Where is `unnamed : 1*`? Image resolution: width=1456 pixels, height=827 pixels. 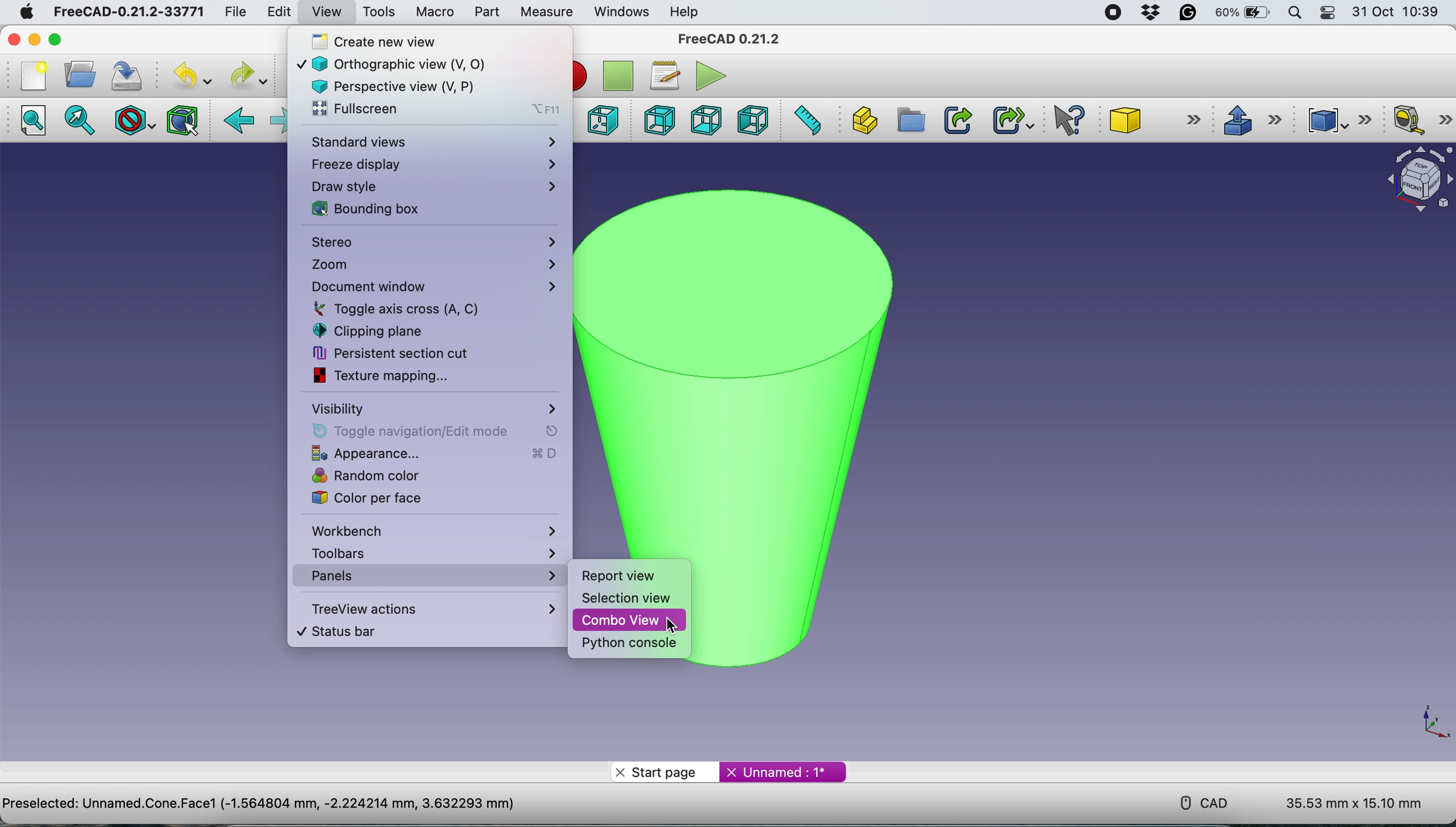 unnamed : 1* is located at coordinates (783, 770).